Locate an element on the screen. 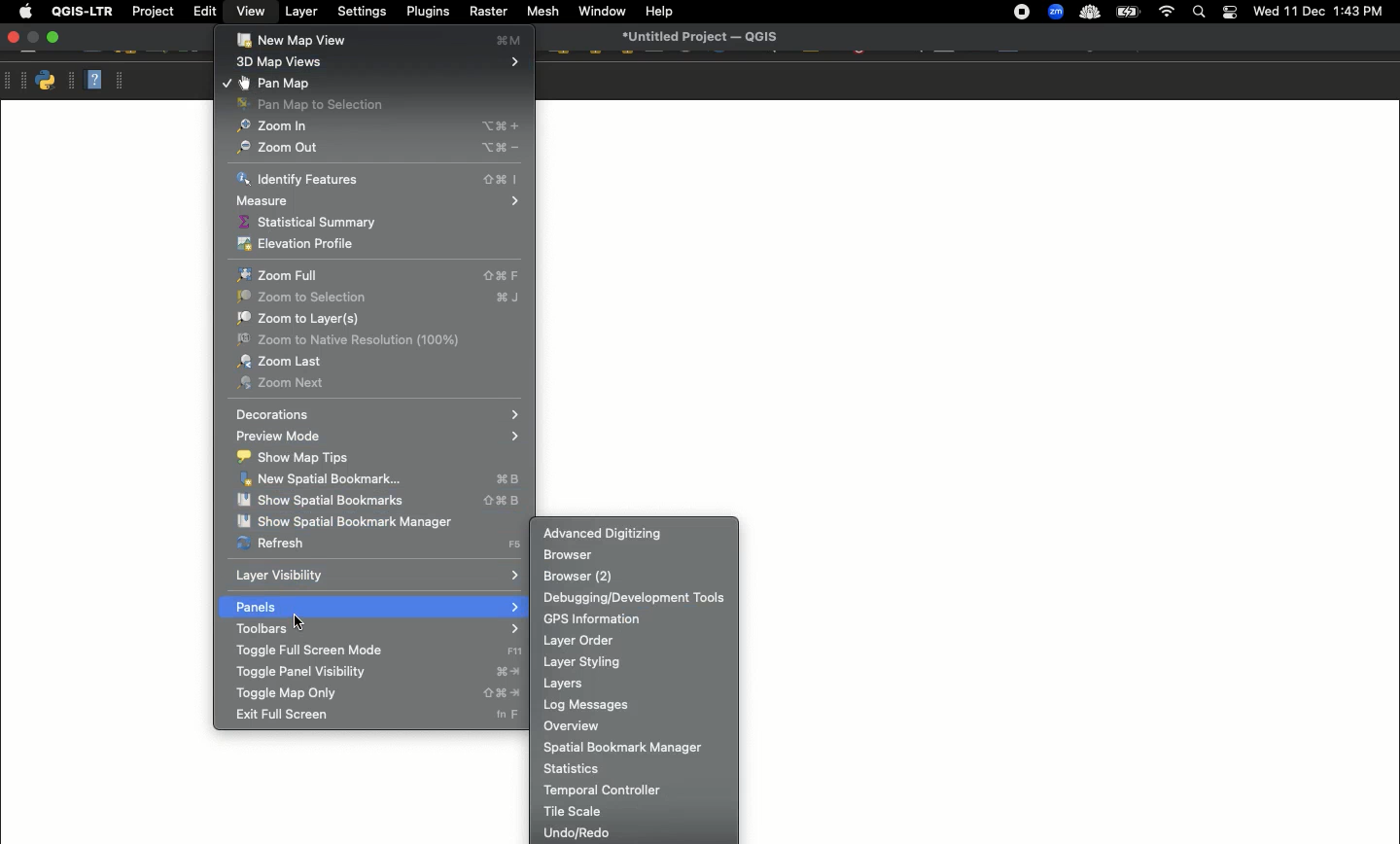 The image size is (1400, 844).  is located at coordinates (1093, 14).